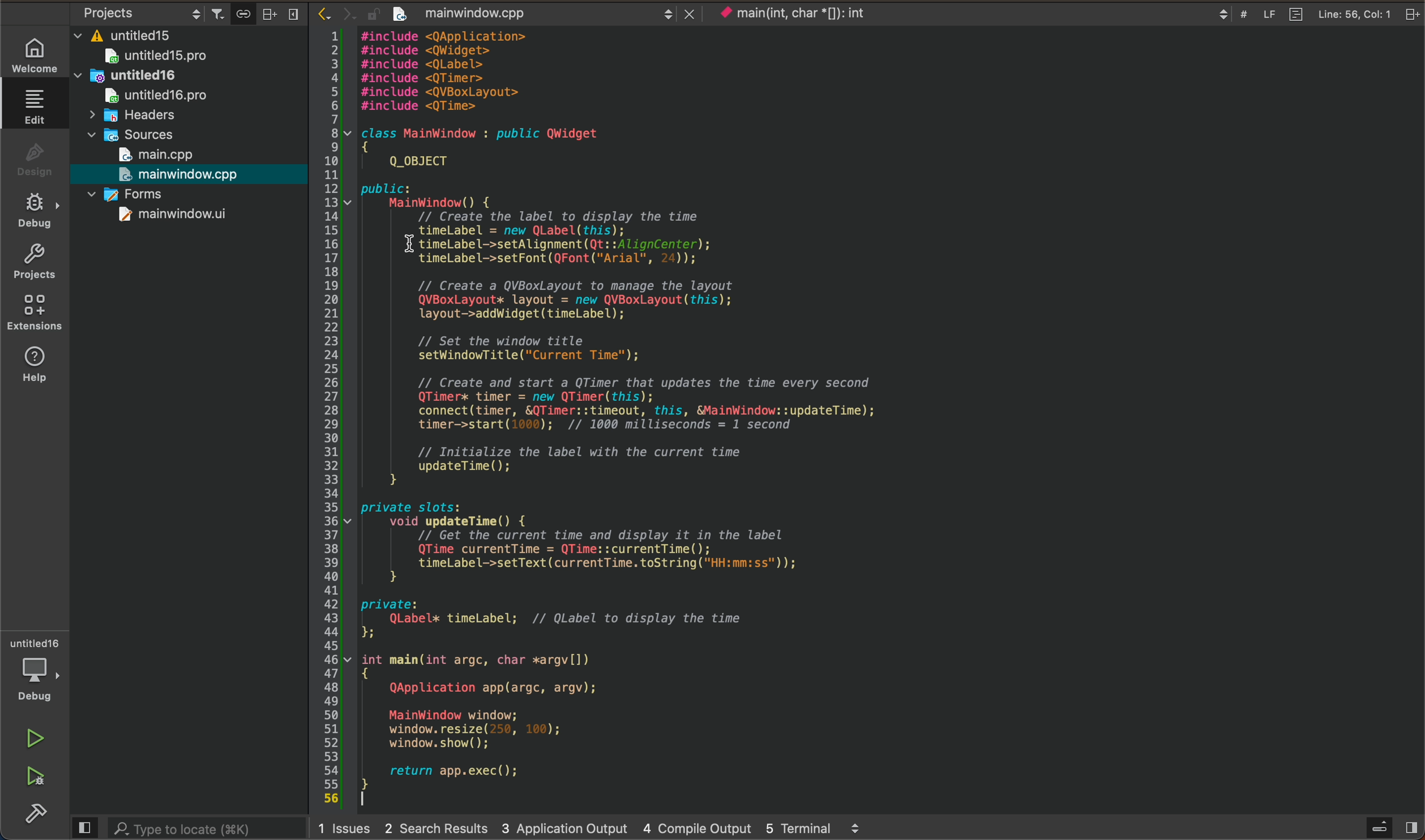 The height and width of the screenshot is (840, 1425). Describe the element at coordinates (614, 303) in the screenshot. I see `a

8 v class MainWindow : public QWidget

9 {

10 Q_OBJECT

11

12 public:

13 v MainWindow() {

14 // Create the label to display the time

15 timeLabel = new QLabel(this);

16 X timeLabel->setAlignment(Qt::AlignCenter);

17 timeLabel->setFont (QFont("Arial", 24));

18

19 // Create a QVBoxLayout to manage the layout

20 QVBoxLayout* layout = new QVBoxLayout (this);

21 layout->addwidget(timeLabel) ;

22

23 // Set the window title

24 setWindowTitle("Current Time");

25

26 // Create and start a QTimer that updates the time every second
27 QTimerx timer = new QTimer(this);

28 connect (timer, &QTimer::timeout, this, &MainWindow::updateTime);
29 timer->start(1000); // 1000 milliseconds = 1 second
30

31 // Initialize the label with the current time

32 updateTime();

33 }` at that location.